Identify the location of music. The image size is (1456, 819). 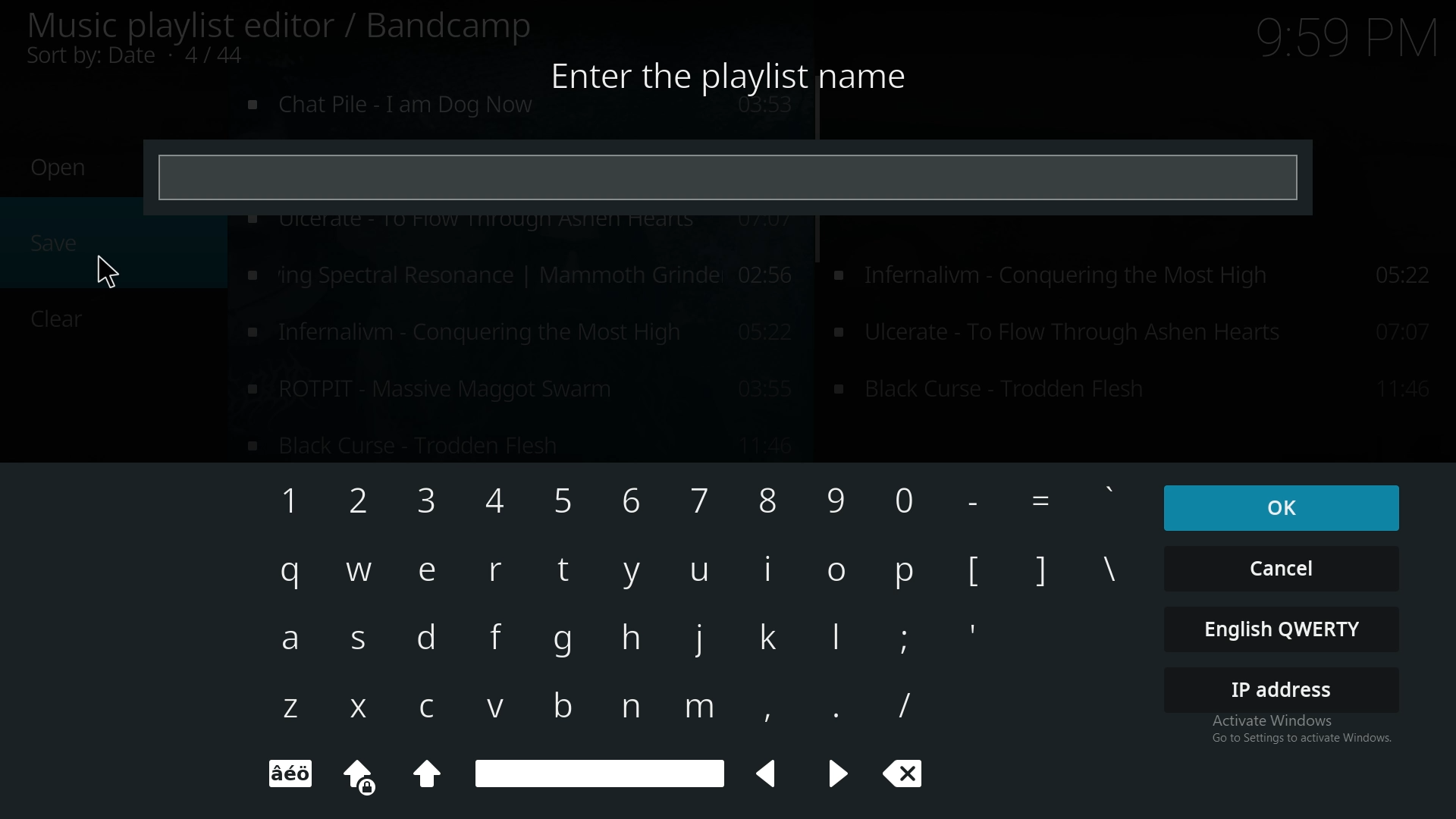
(517, 387).